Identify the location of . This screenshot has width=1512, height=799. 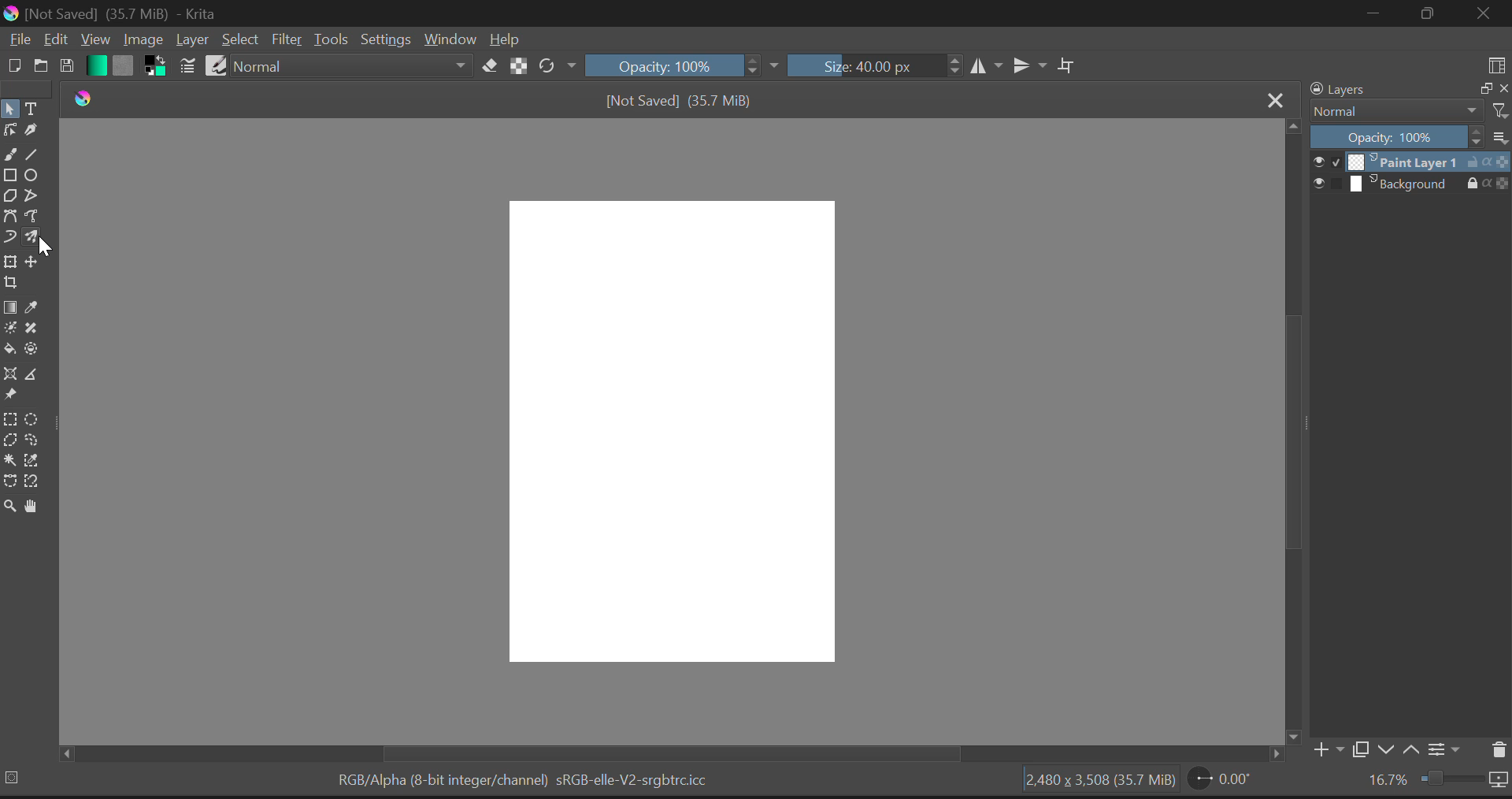
(1277, 753).